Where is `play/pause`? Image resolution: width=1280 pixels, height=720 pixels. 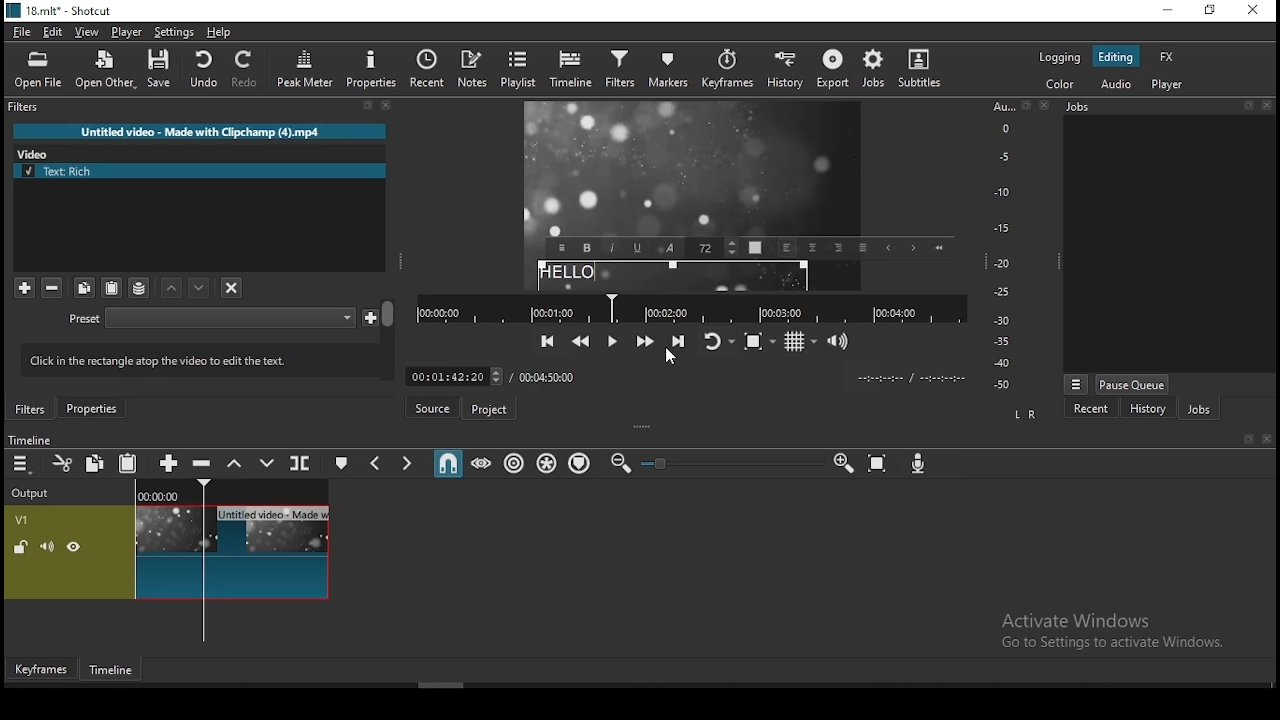 play/pause is located at coordinates (614, 342).